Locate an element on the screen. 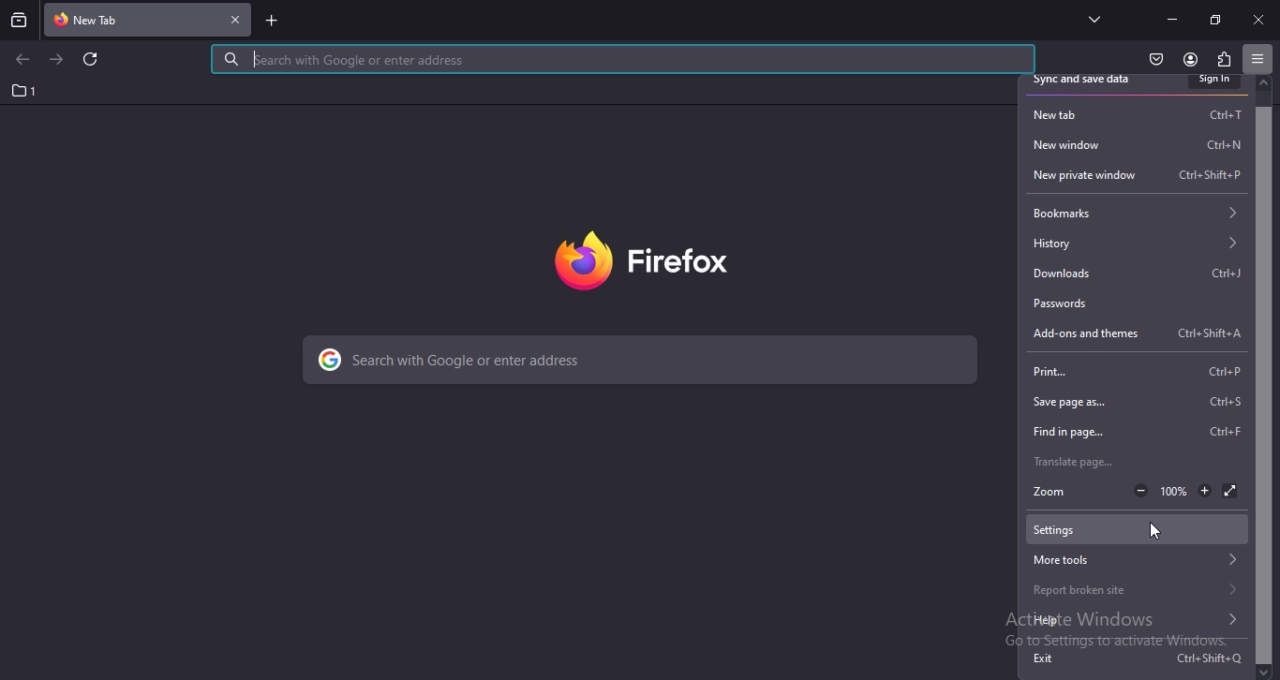 The width and height of the screenshot is (1280, 680). settings is located at coordinates (1134, 528).